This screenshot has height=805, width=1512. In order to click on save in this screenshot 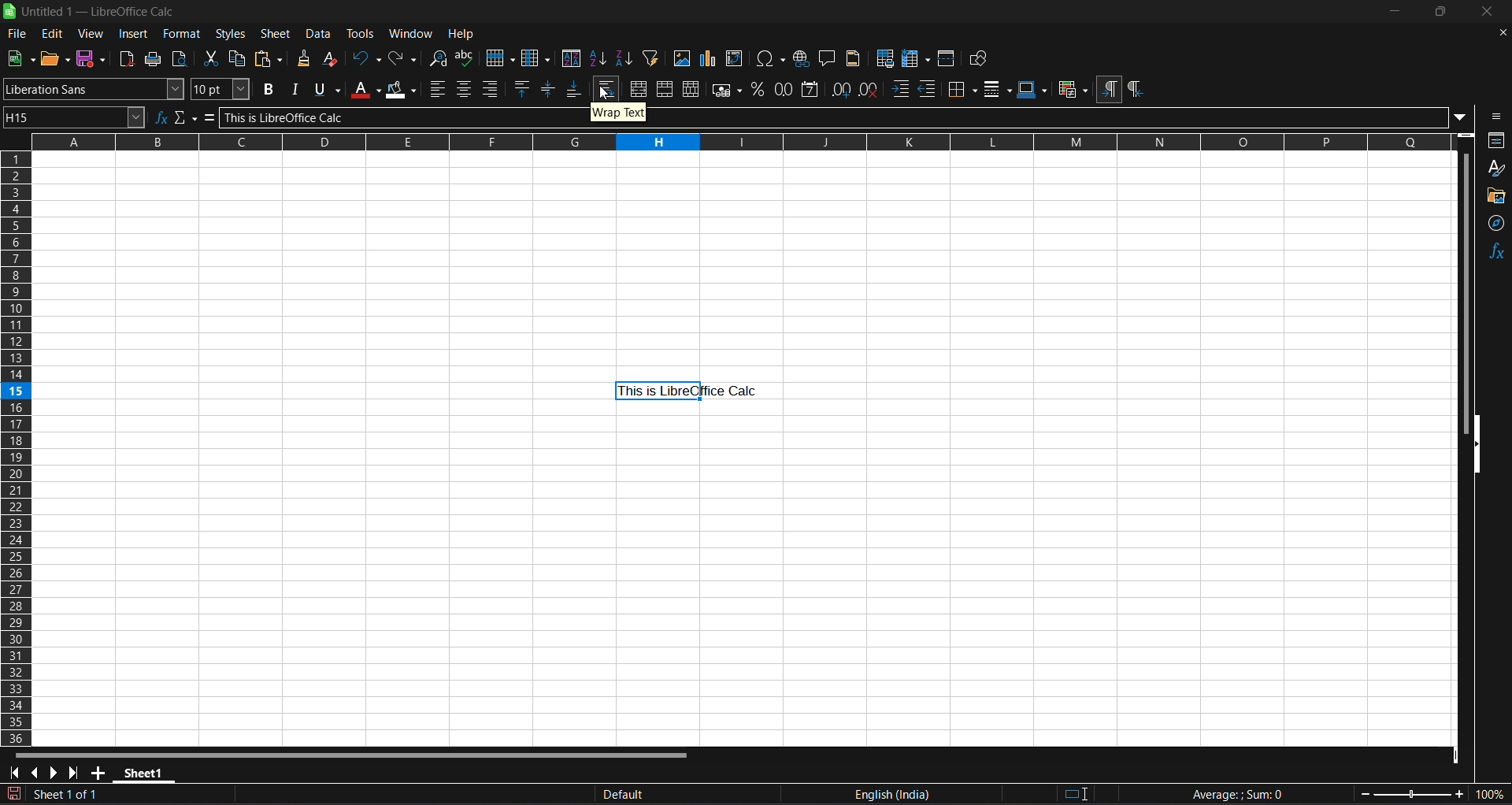, I will do `click(90, 57)`.